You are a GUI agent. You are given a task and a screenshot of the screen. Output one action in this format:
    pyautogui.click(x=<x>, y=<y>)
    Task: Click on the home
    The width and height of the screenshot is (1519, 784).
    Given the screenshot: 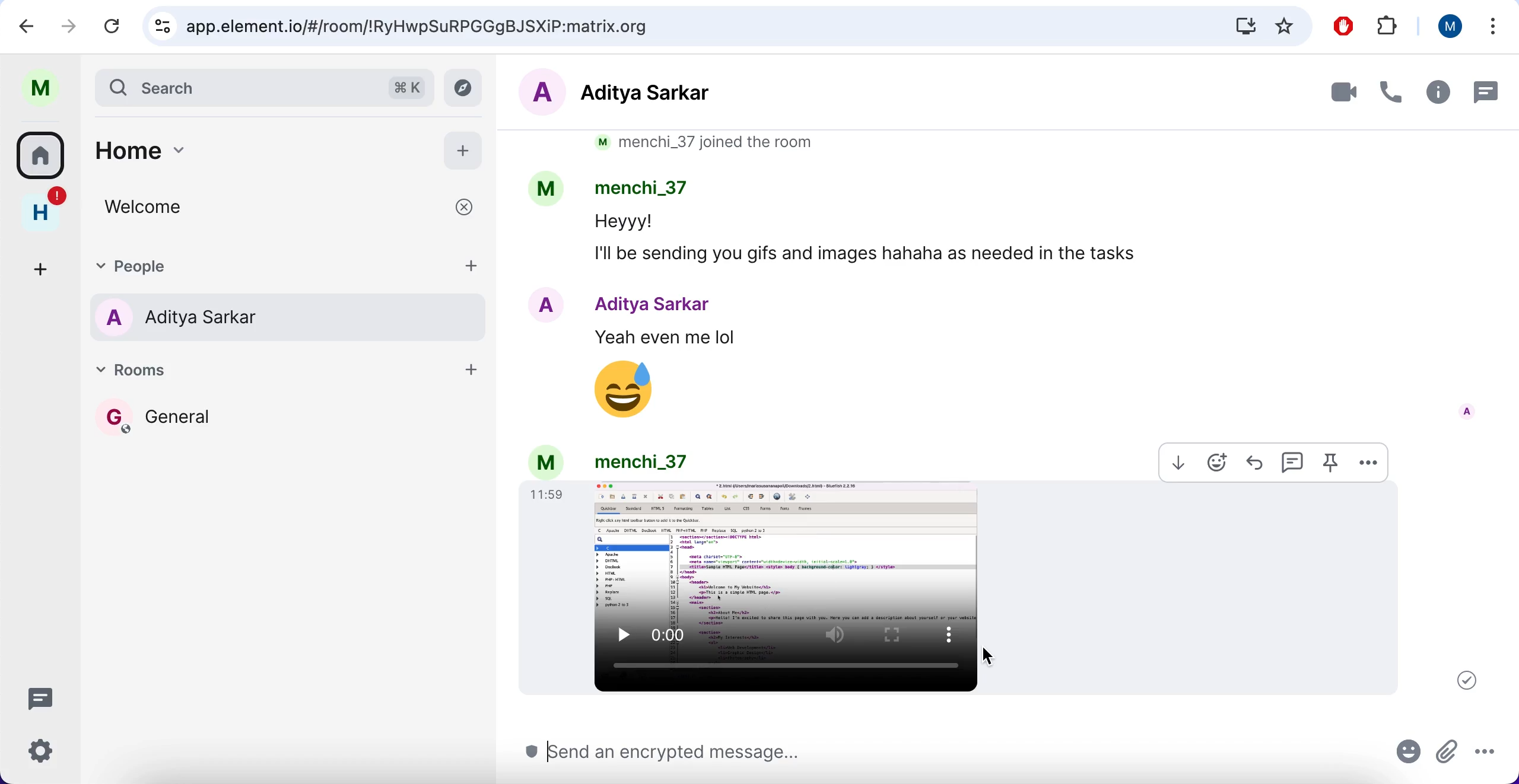 What is the action you would take?
    pyautogui.click(x=42, y=206)
    